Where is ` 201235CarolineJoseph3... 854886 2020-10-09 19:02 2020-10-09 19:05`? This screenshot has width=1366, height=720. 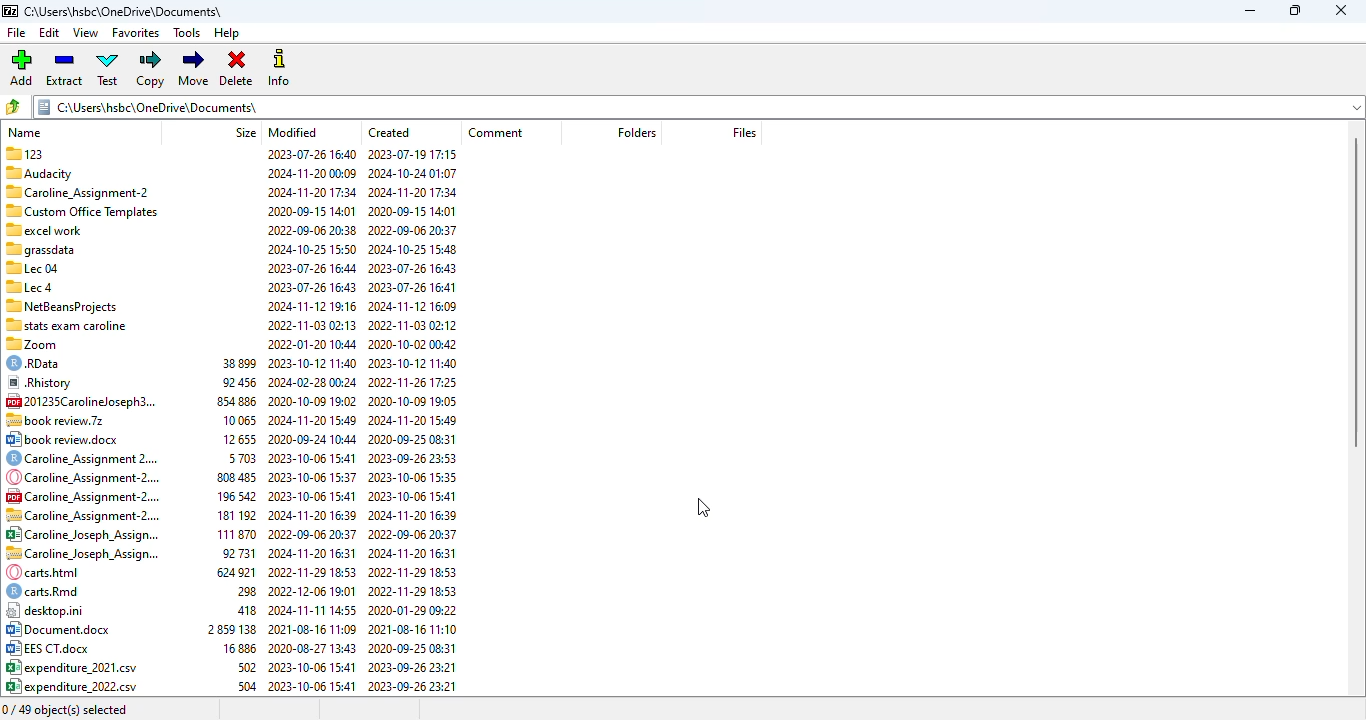
 201235CarolineJoseph3... 854886 2020-10-09 19:02 2020-10-09 19:05 is located at coordinates (232, 382).